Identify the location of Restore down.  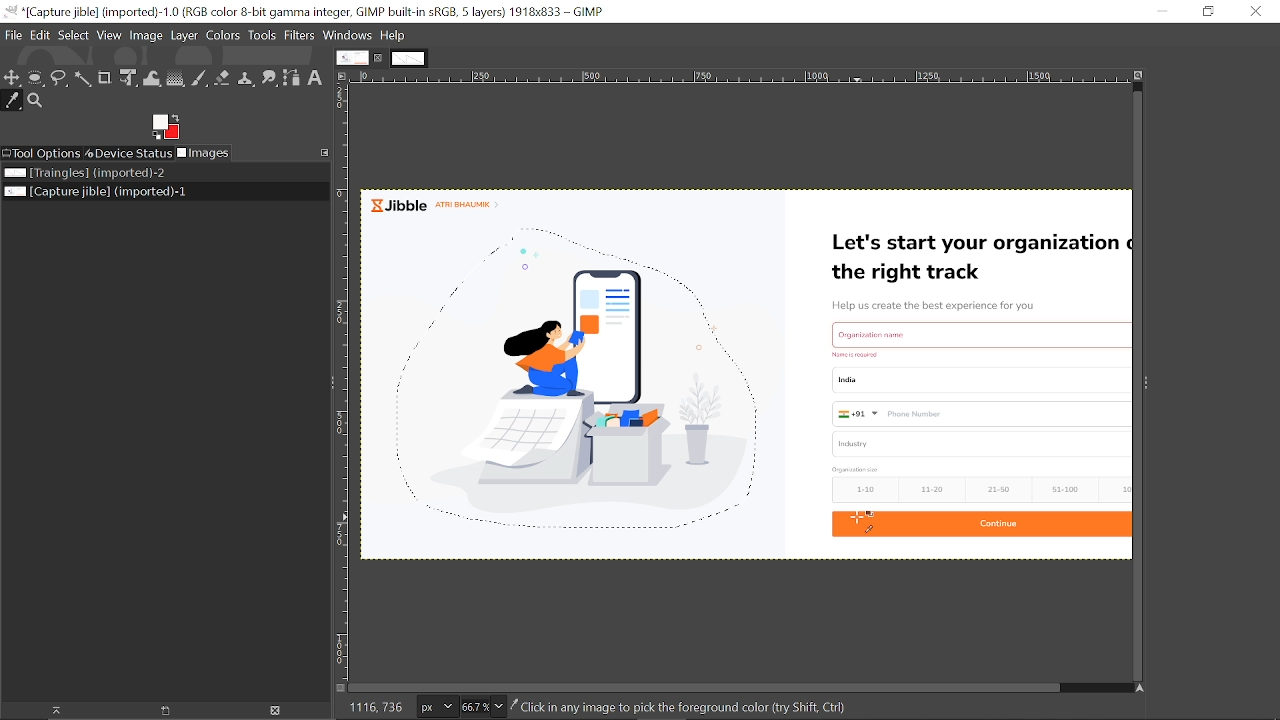
(1210, 12).